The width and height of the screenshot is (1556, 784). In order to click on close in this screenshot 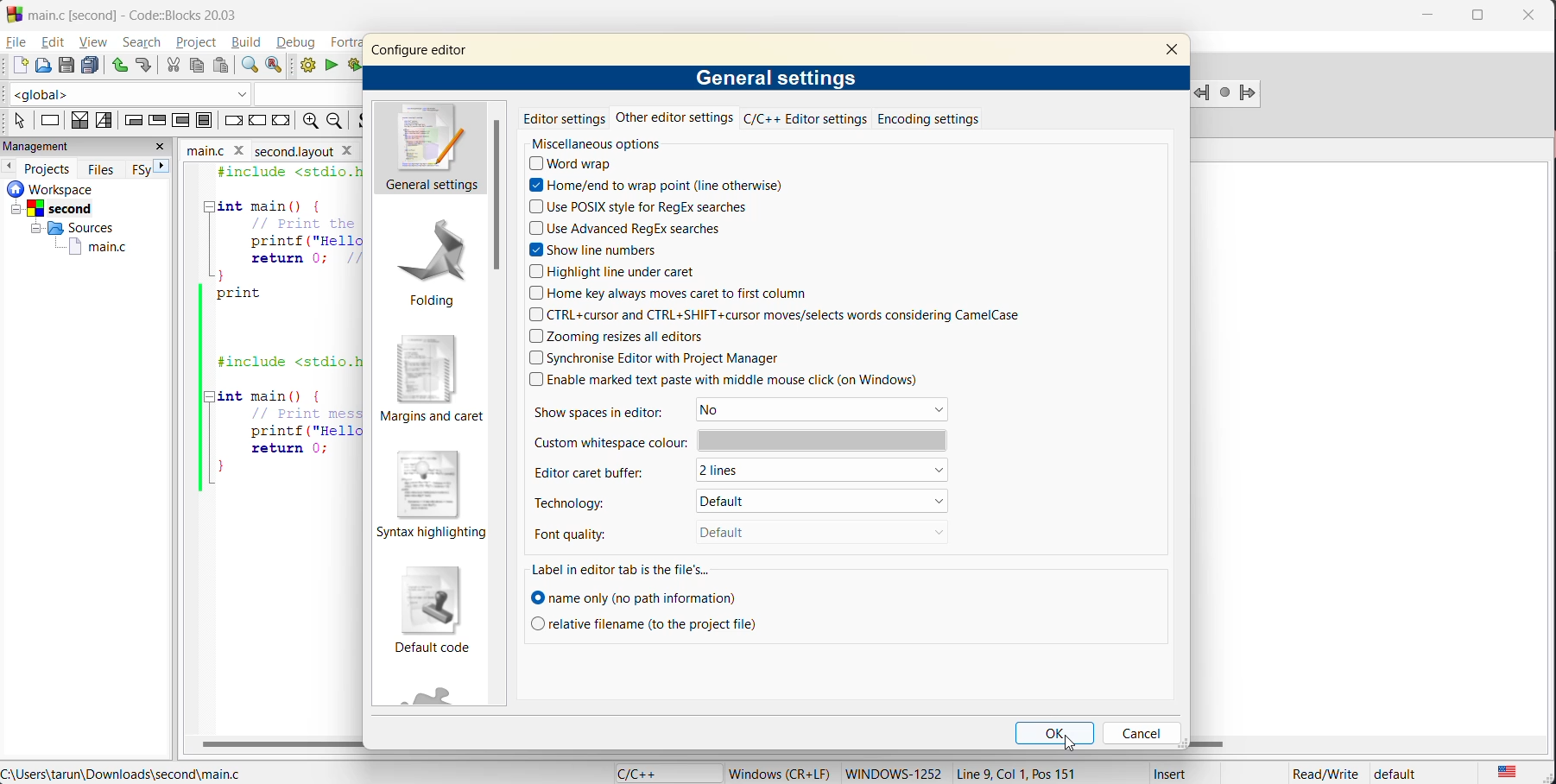, I will do `click(1176, 54)`.